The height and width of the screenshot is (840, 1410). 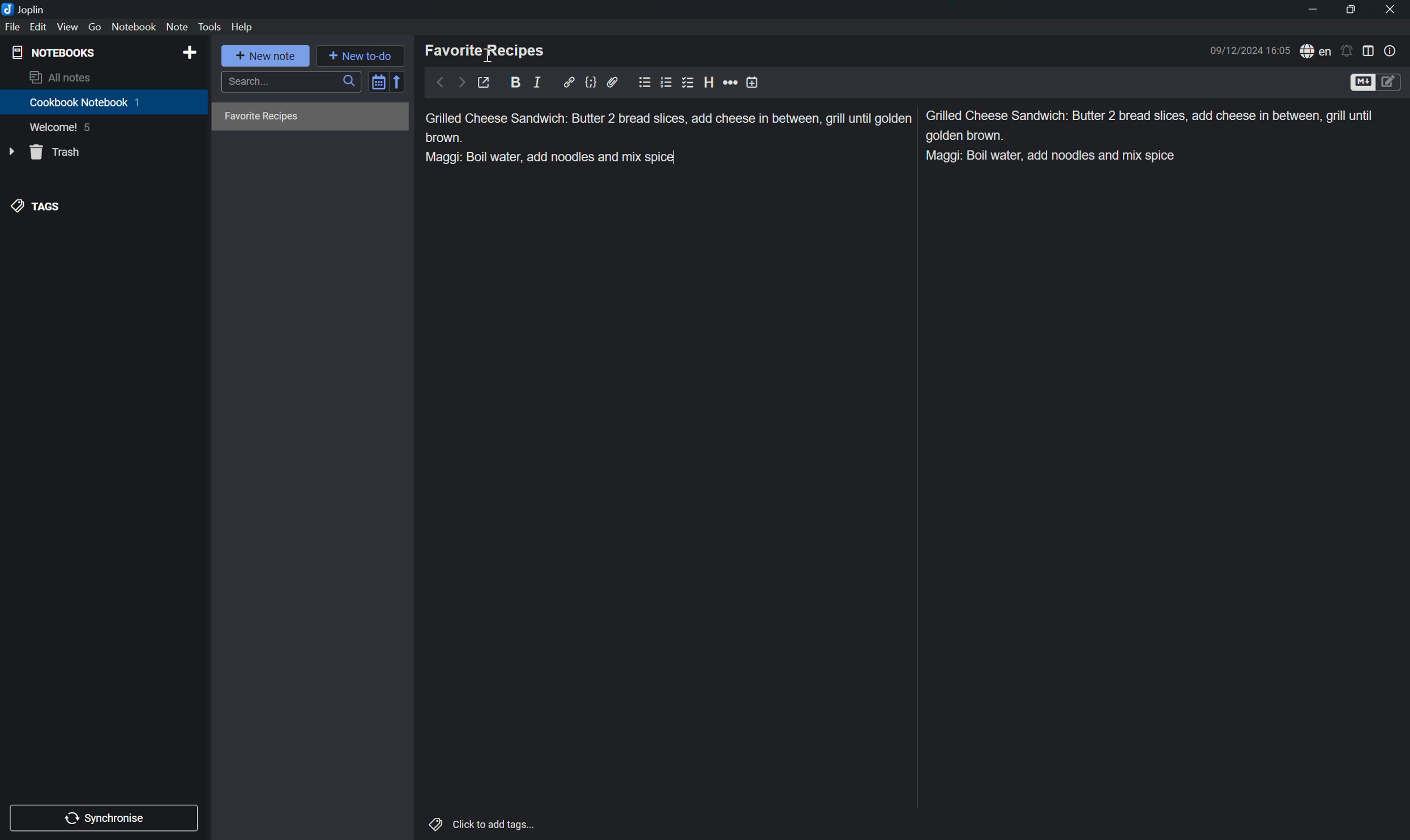 What do you see at coordinates (359, 54) in the screenshot?
I see `New to-do` at bounding box center [359, 54].